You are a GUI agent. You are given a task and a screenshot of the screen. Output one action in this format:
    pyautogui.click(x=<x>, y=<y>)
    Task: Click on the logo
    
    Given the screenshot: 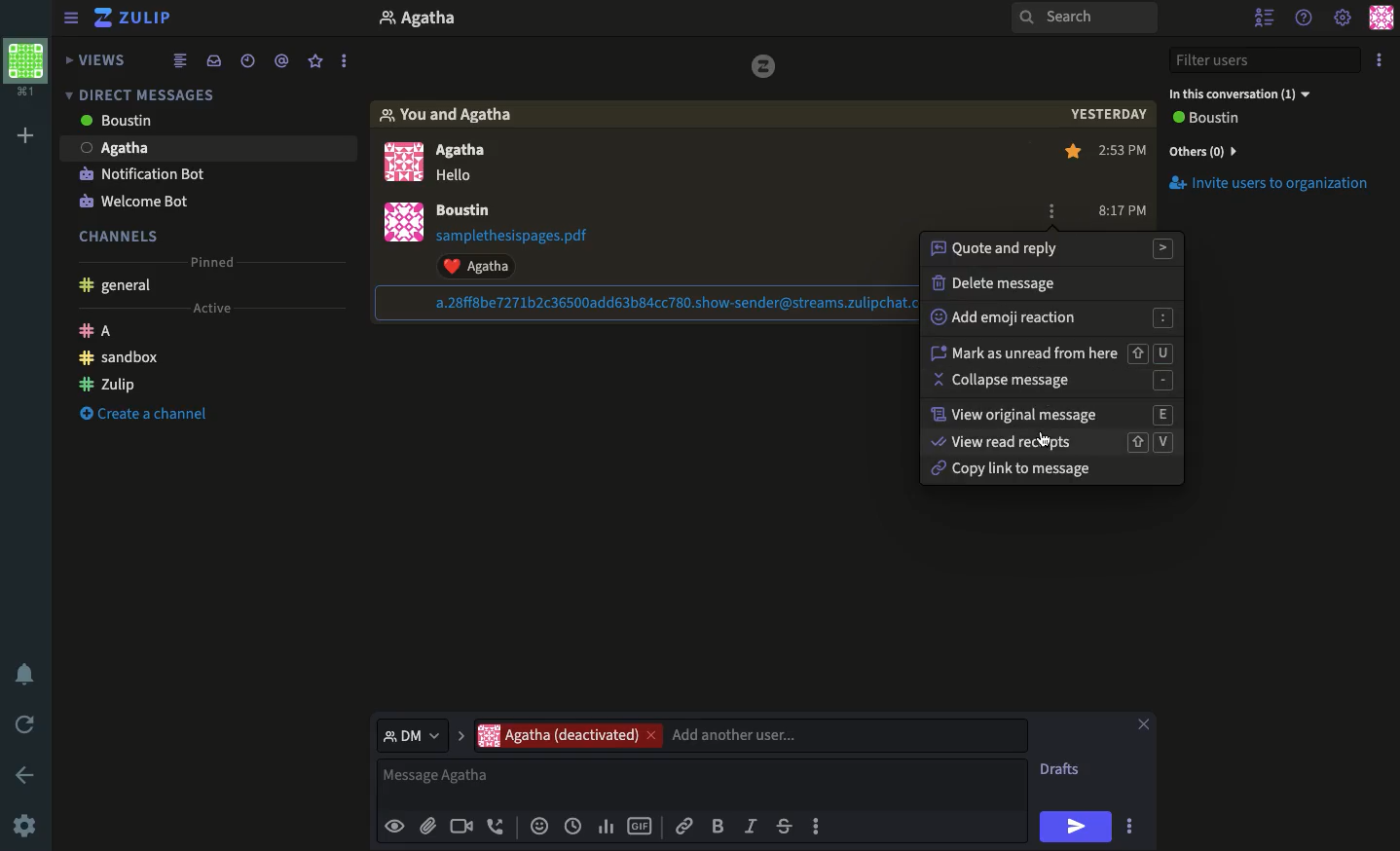 What is the action you would take?
    pyautogui.click(x=770, y=67)
    